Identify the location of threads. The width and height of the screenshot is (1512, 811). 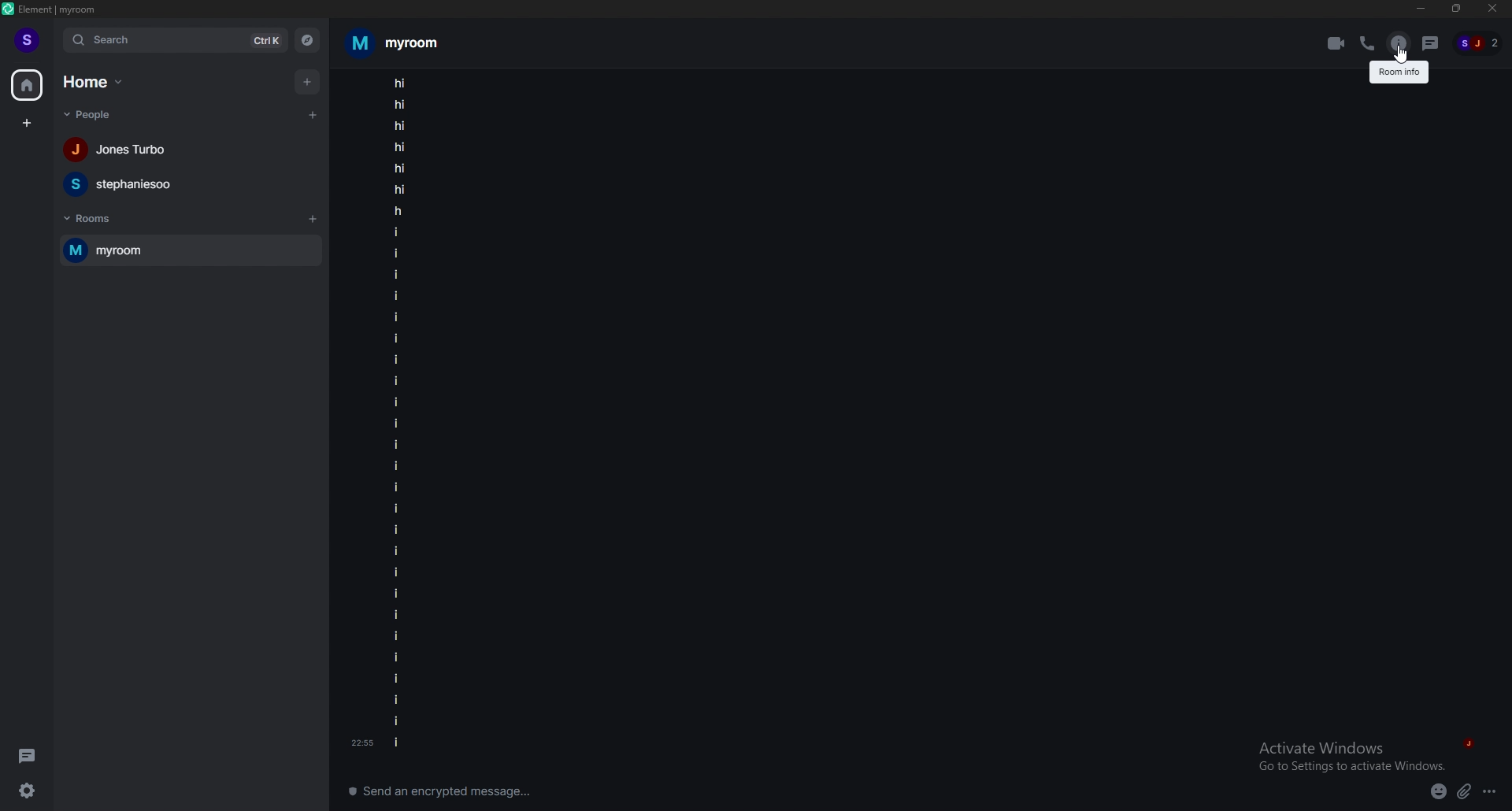
(27, 754).